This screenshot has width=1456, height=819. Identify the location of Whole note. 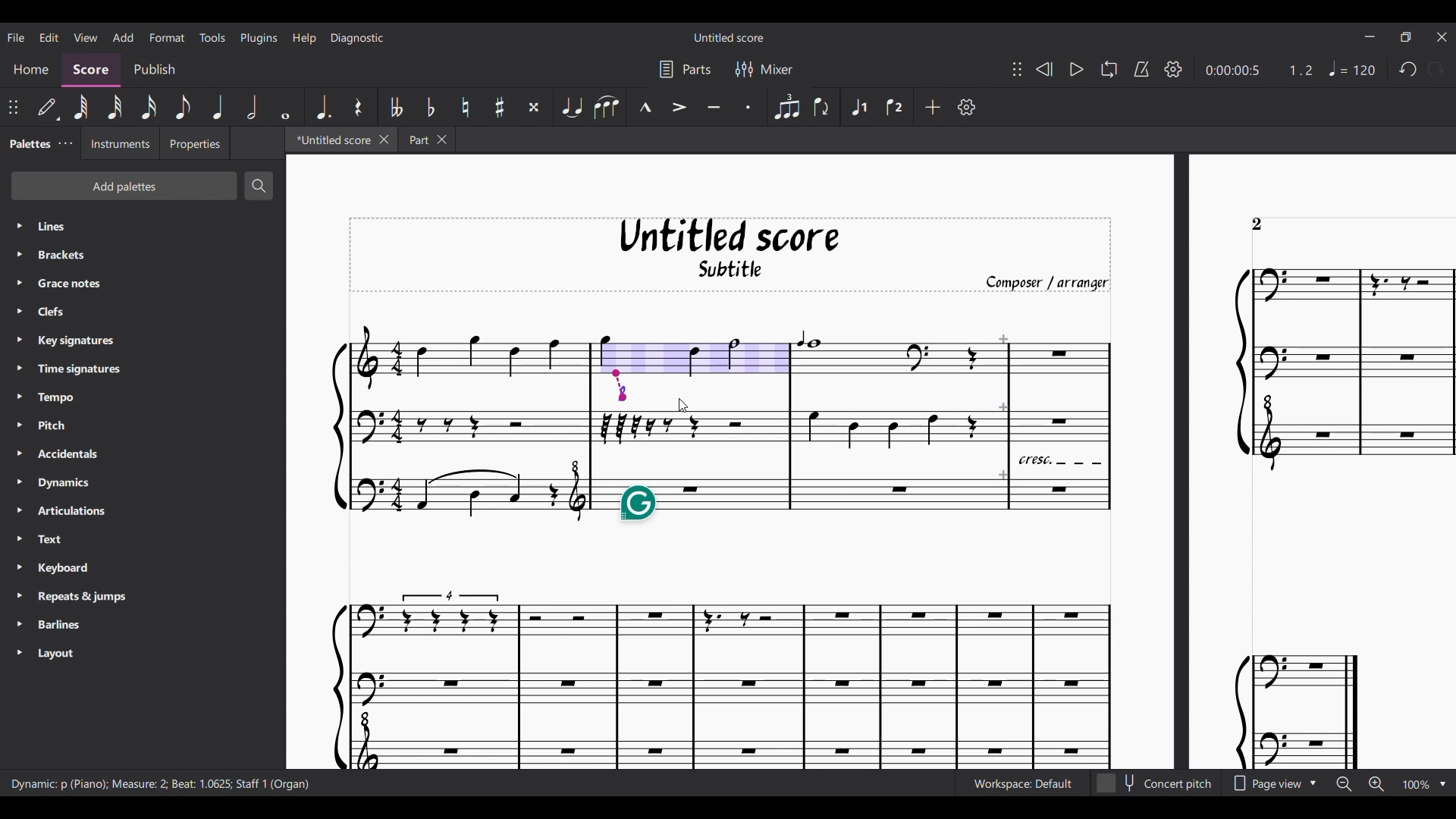
(285, 106).